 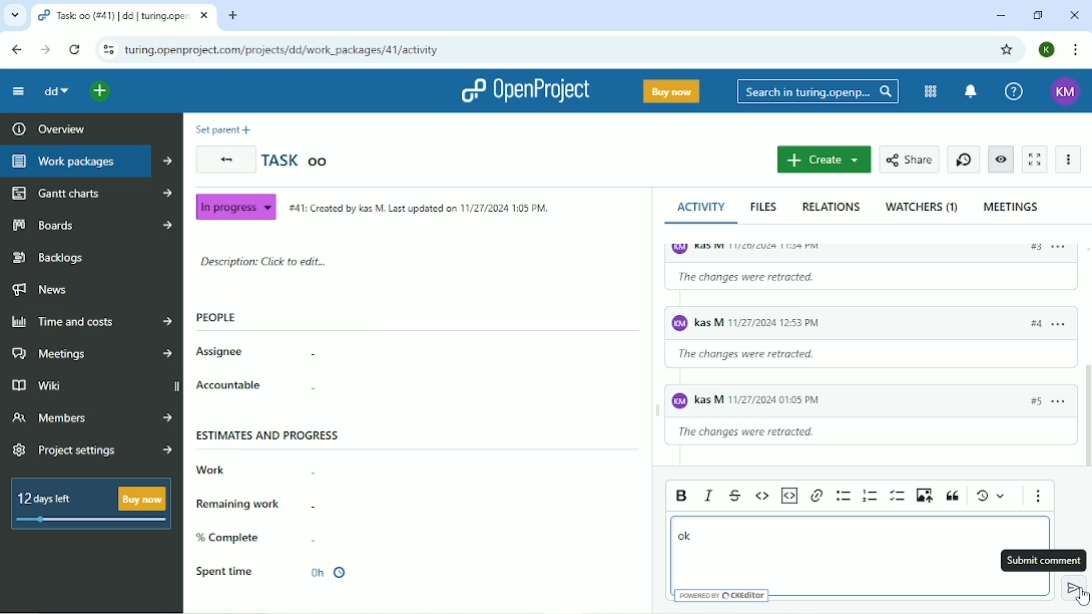 What do you see at coordinates (785, 325) in the screenshot?
I see `KM Kas M 11/26/2024 11:53 PM` at bounding box center [785, 325].